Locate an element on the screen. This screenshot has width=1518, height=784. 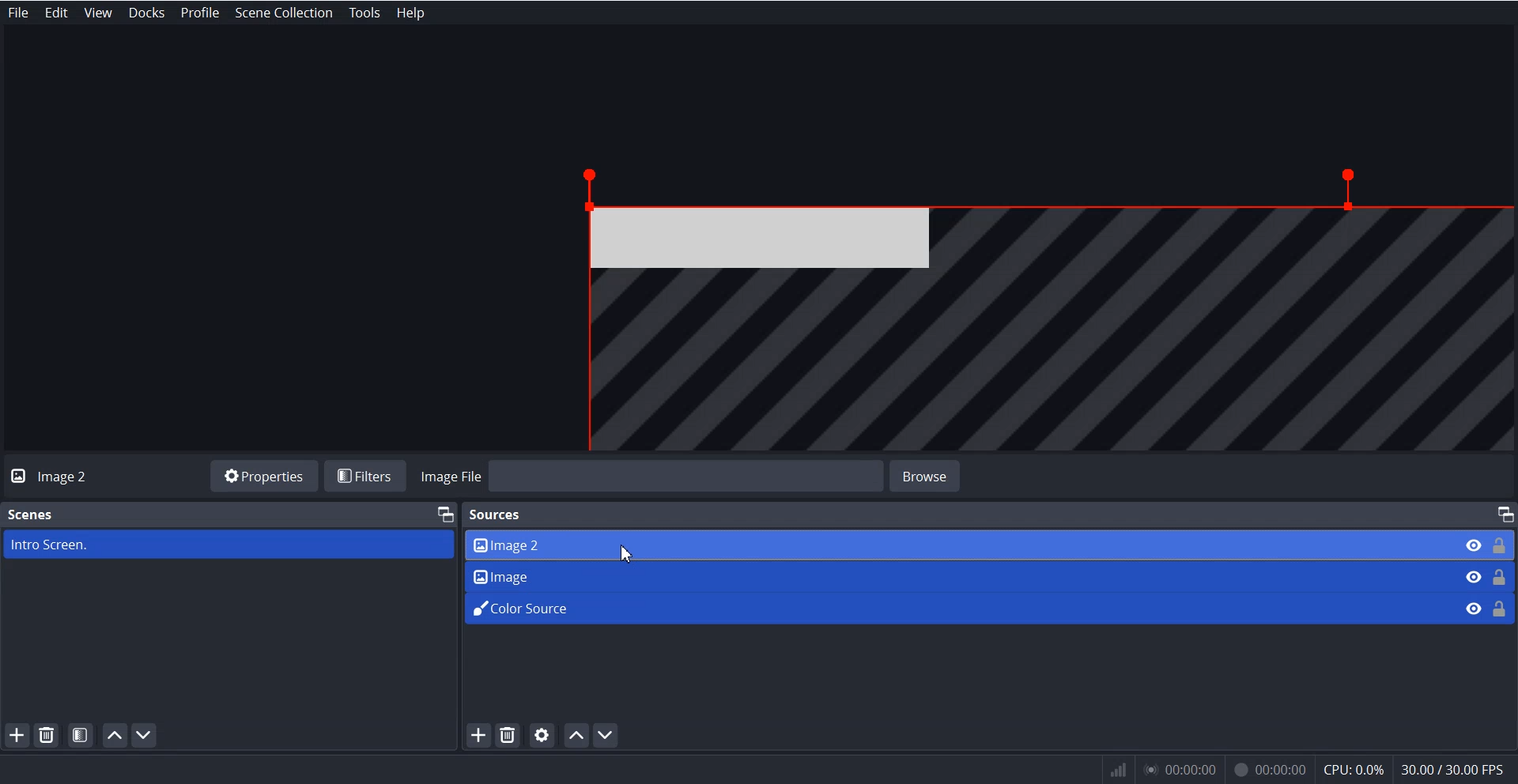
Profile is located at coordinates (198, 13).